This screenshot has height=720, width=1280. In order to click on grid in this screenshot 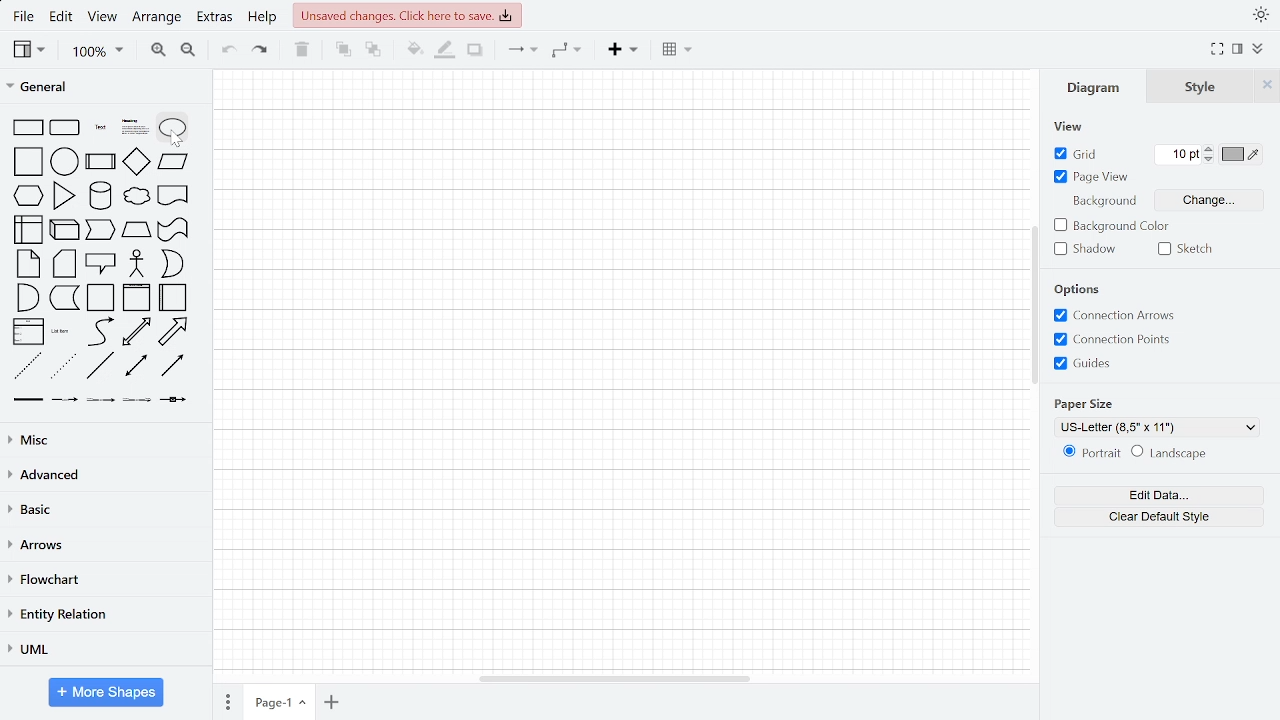, I will do `click(1076, 154)`.